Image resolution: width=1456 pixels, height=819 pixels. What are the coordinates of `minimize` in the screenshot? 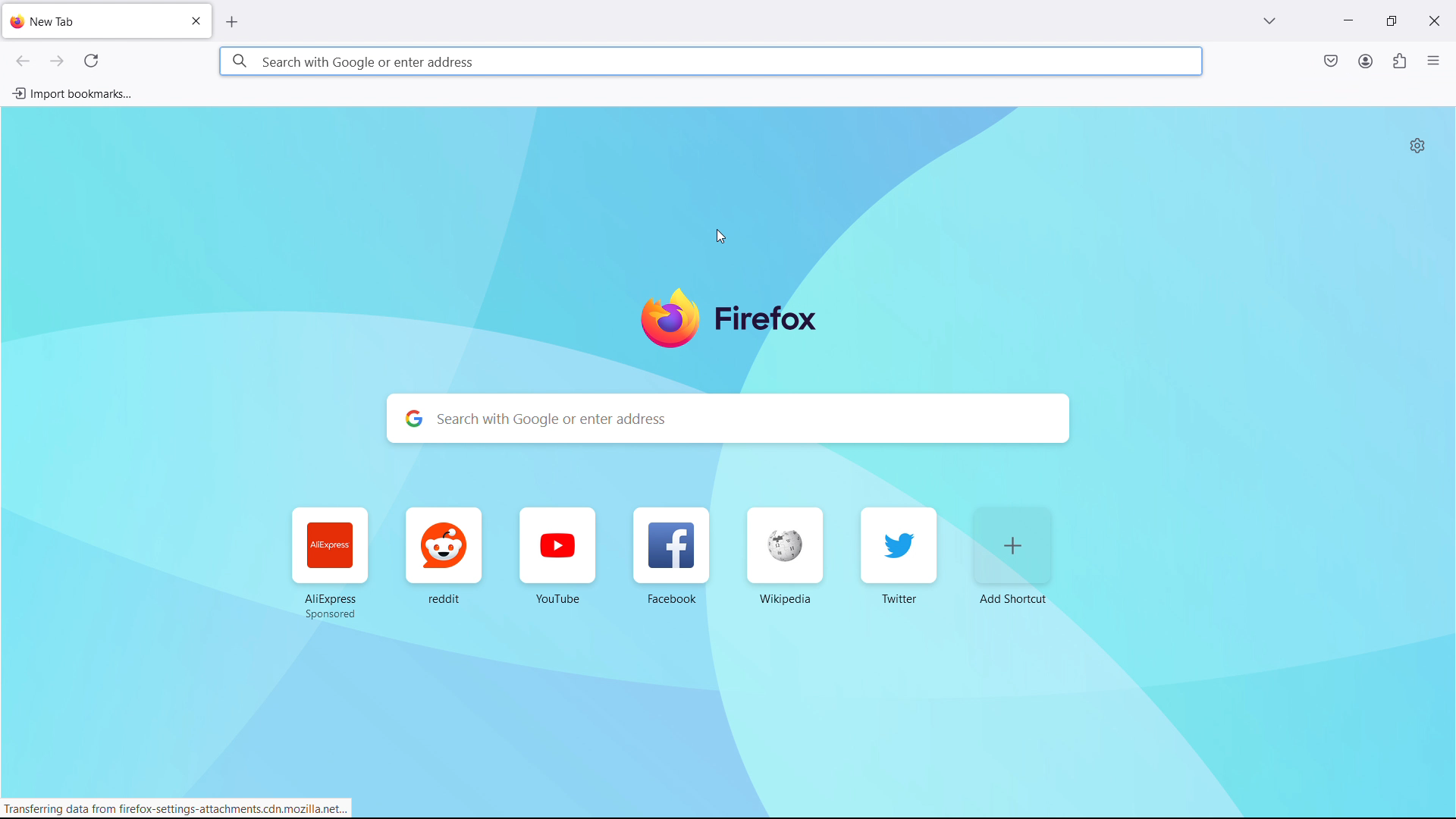 It's located at (1347, 19).